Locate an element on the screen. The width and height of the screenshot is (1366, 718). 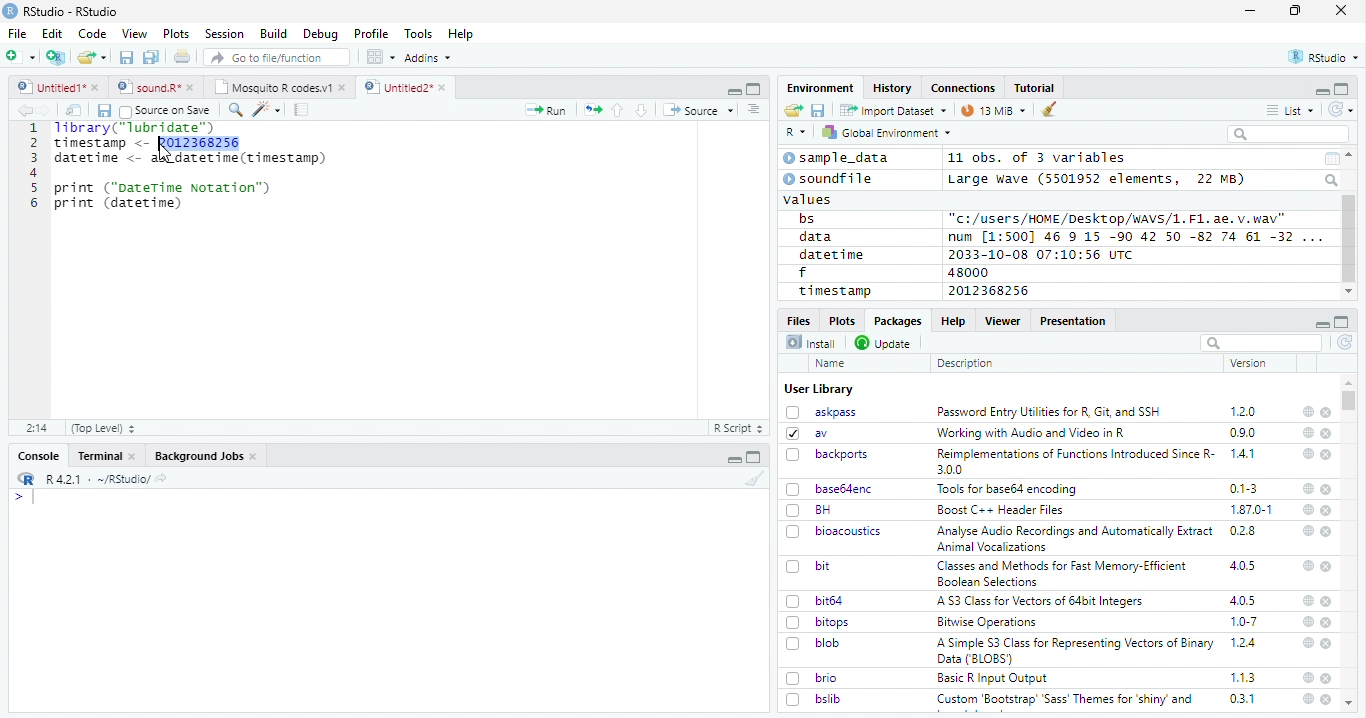
Connections is located at coordinates (962, 88).